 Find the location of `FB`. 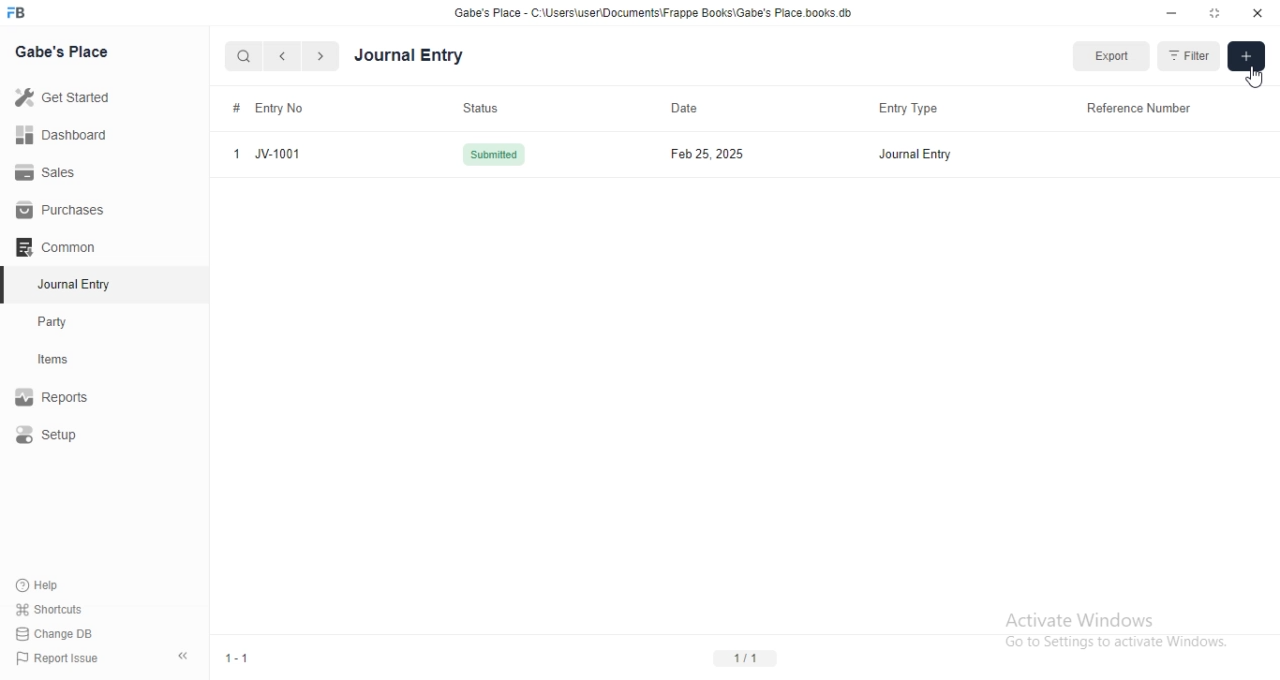

FB is located at coordinates (18, 13).